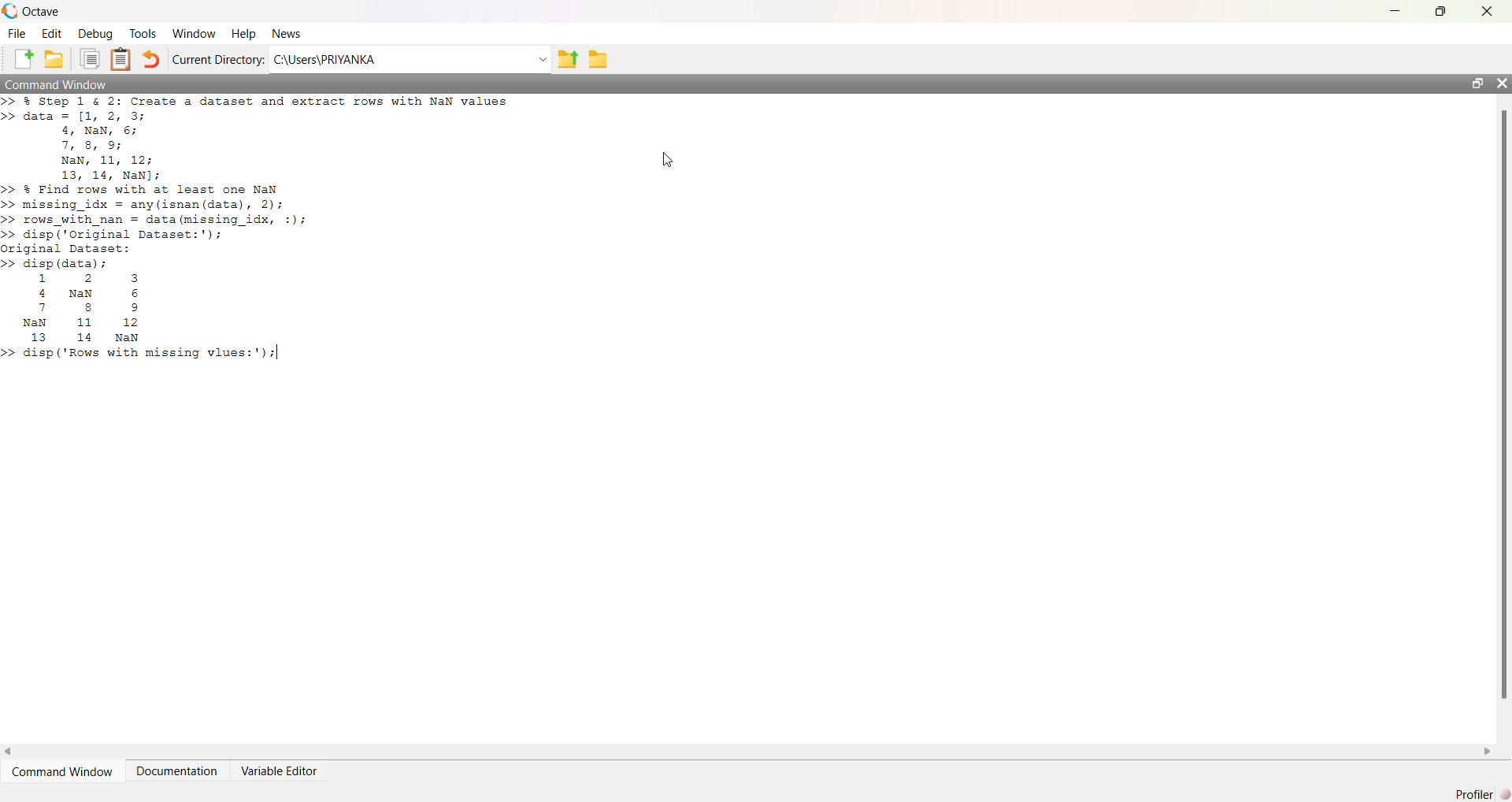  What do you see at coordinates (1441, 10) in the screenshot?
I see `maximize` at bounding box center [1441, 10].